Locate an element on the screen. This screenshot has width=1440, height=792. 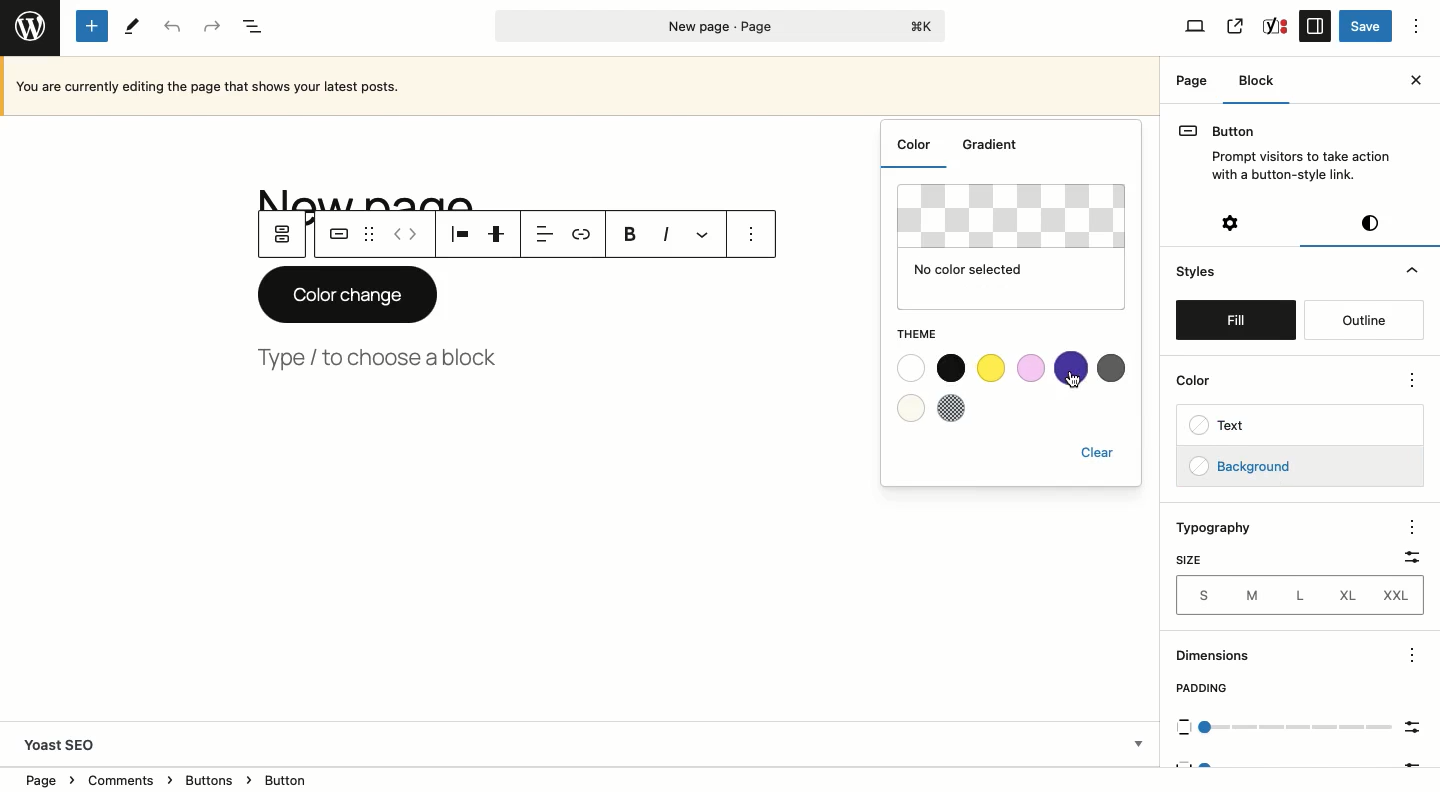
White is located at coordinates (912, 391).